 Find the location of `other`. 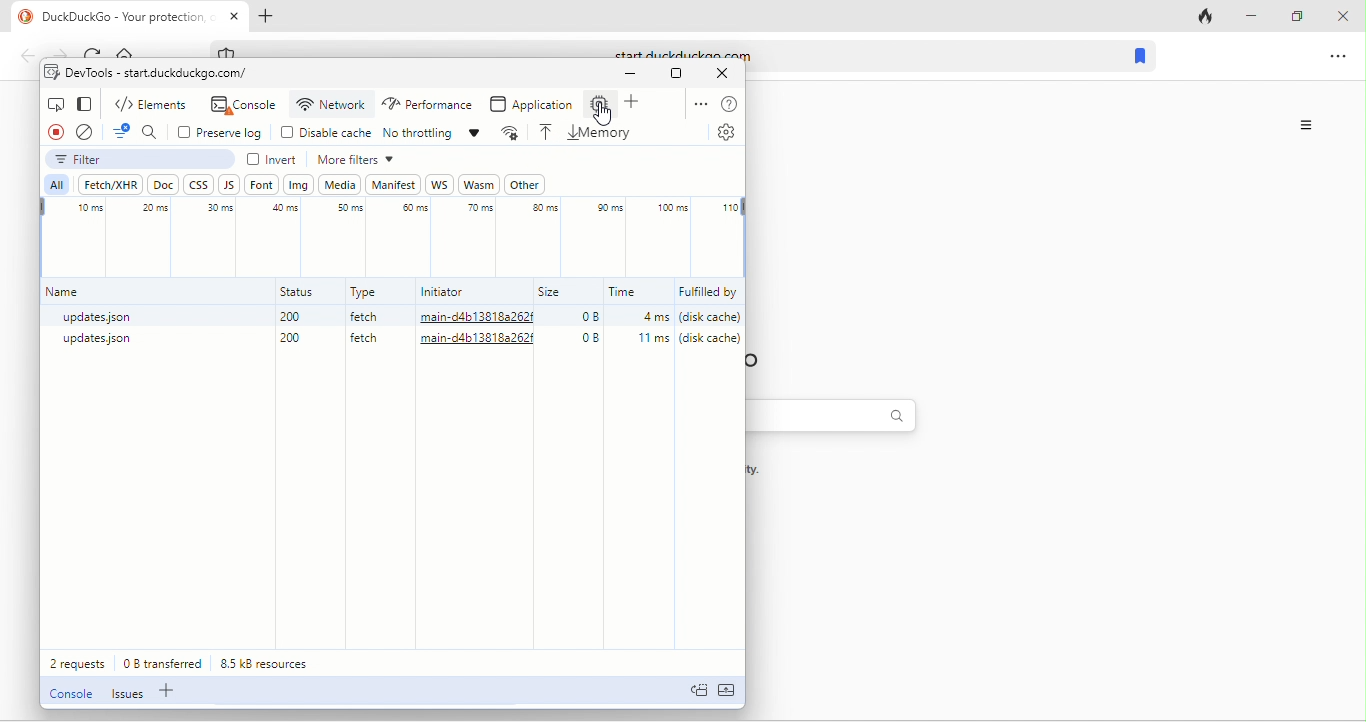

other is located at coordinates (530, 185).